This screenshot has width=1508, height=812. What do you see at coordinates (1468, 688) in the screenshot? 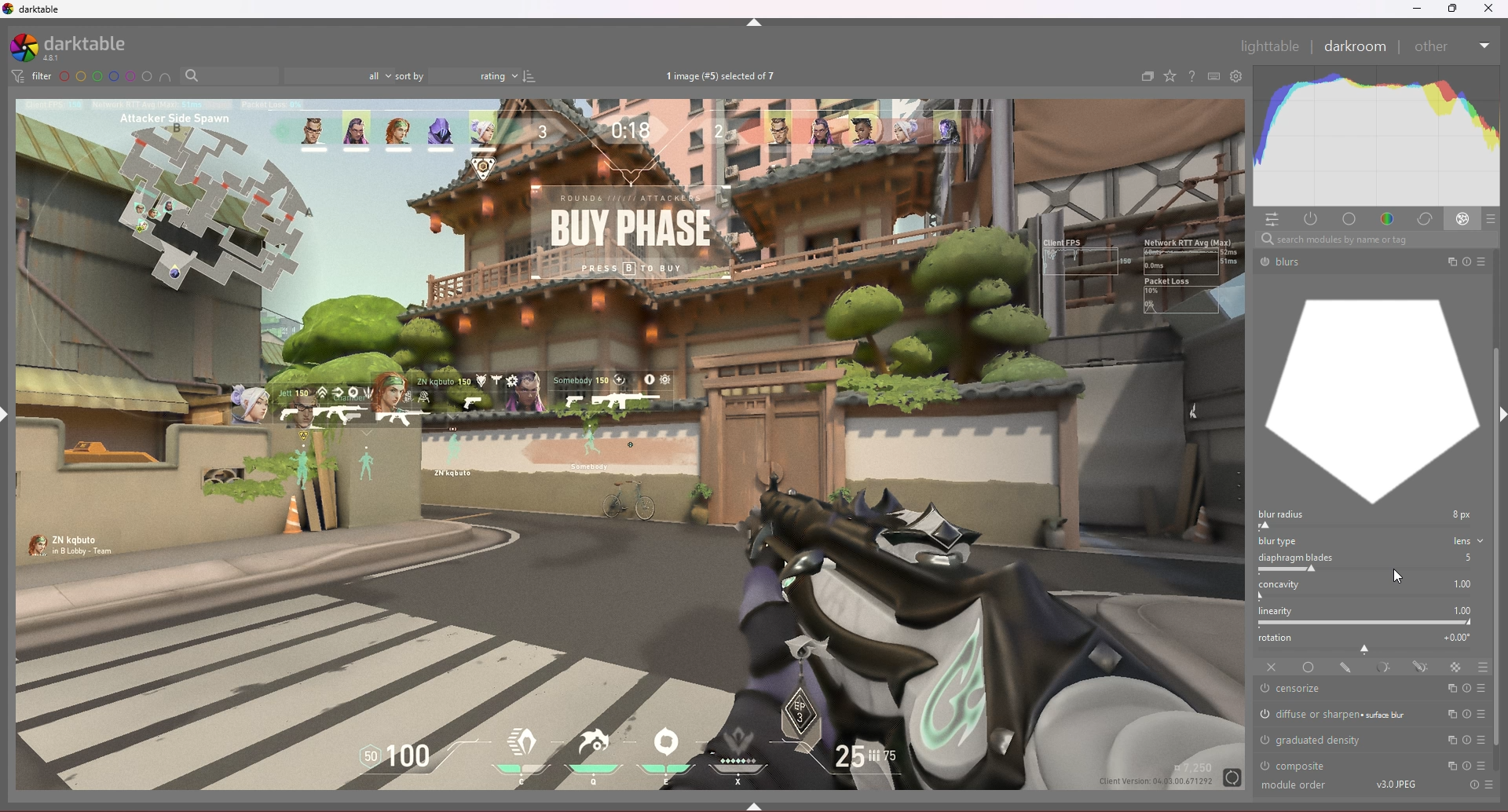
I see `reset` at bounding box center [1468, 688].